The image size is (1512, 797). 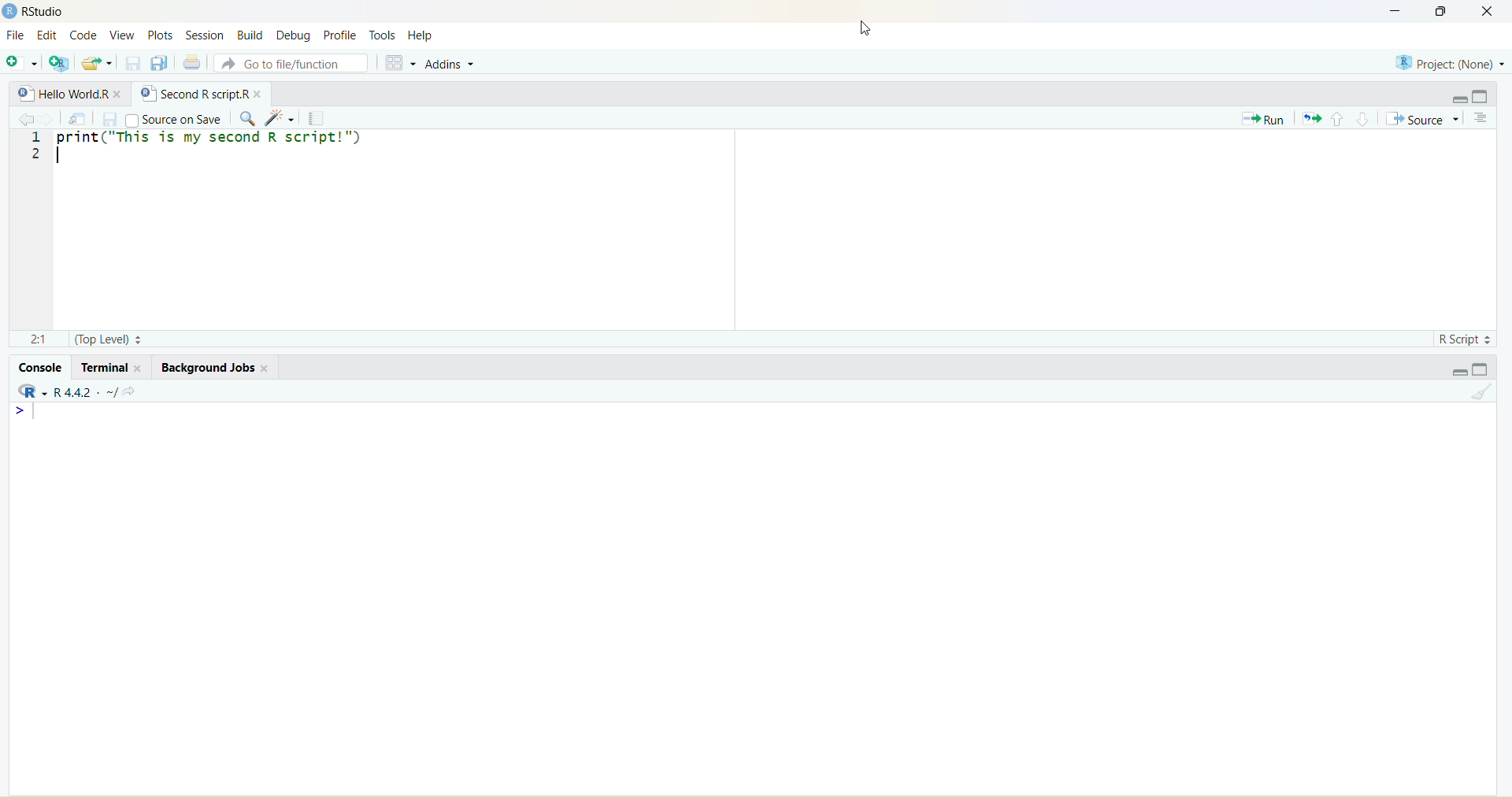 What do you see at coordinates (1484, 96) in the screenshot?
I see `Maximize` at bounding box center [1484, 96].